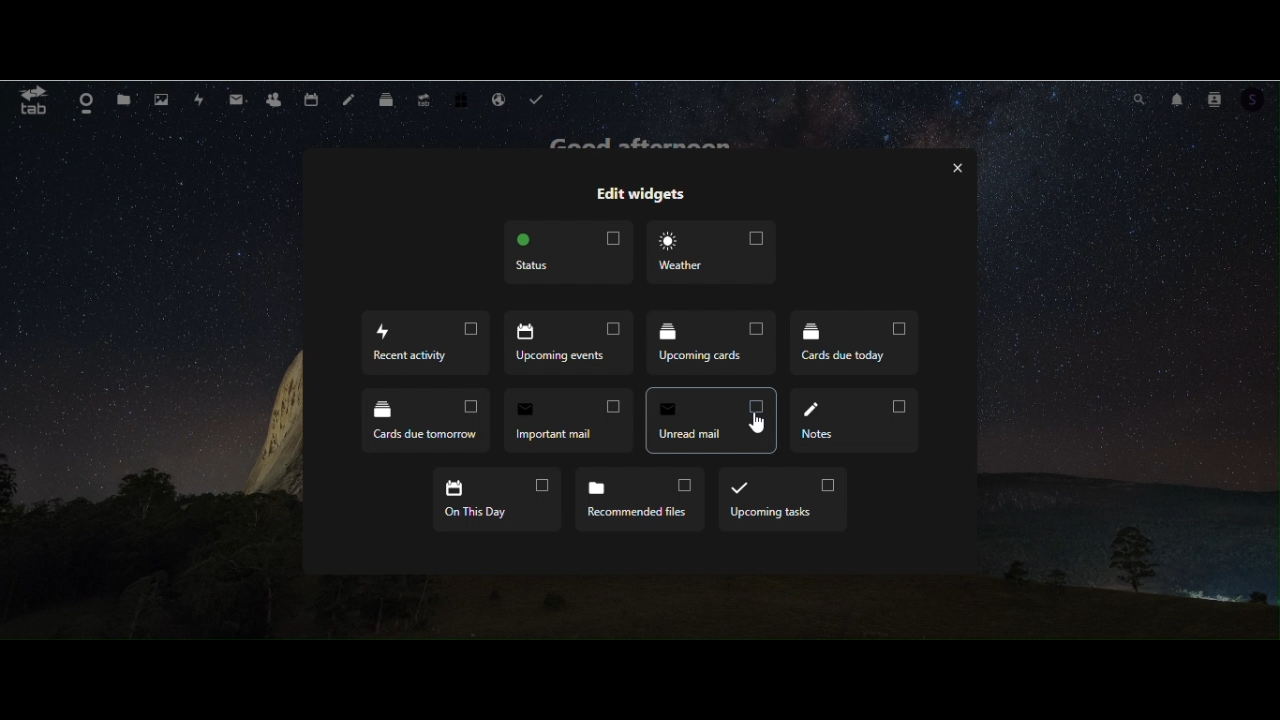 The width and height of the screenshot is (1280, 720). I want to click on unread email, so click(712, 419).